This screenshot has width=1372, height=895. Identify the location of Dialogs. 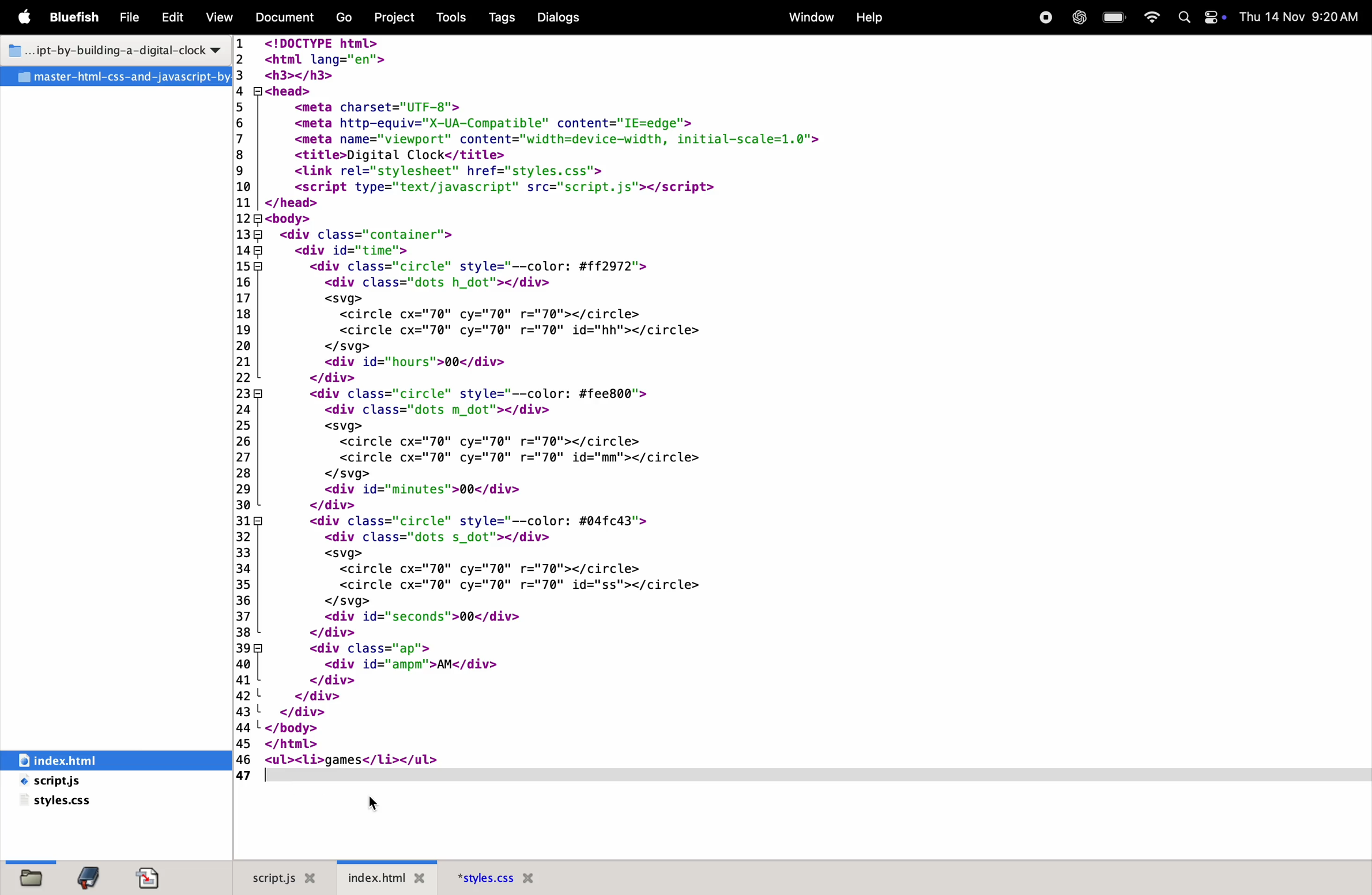
(563, 17).